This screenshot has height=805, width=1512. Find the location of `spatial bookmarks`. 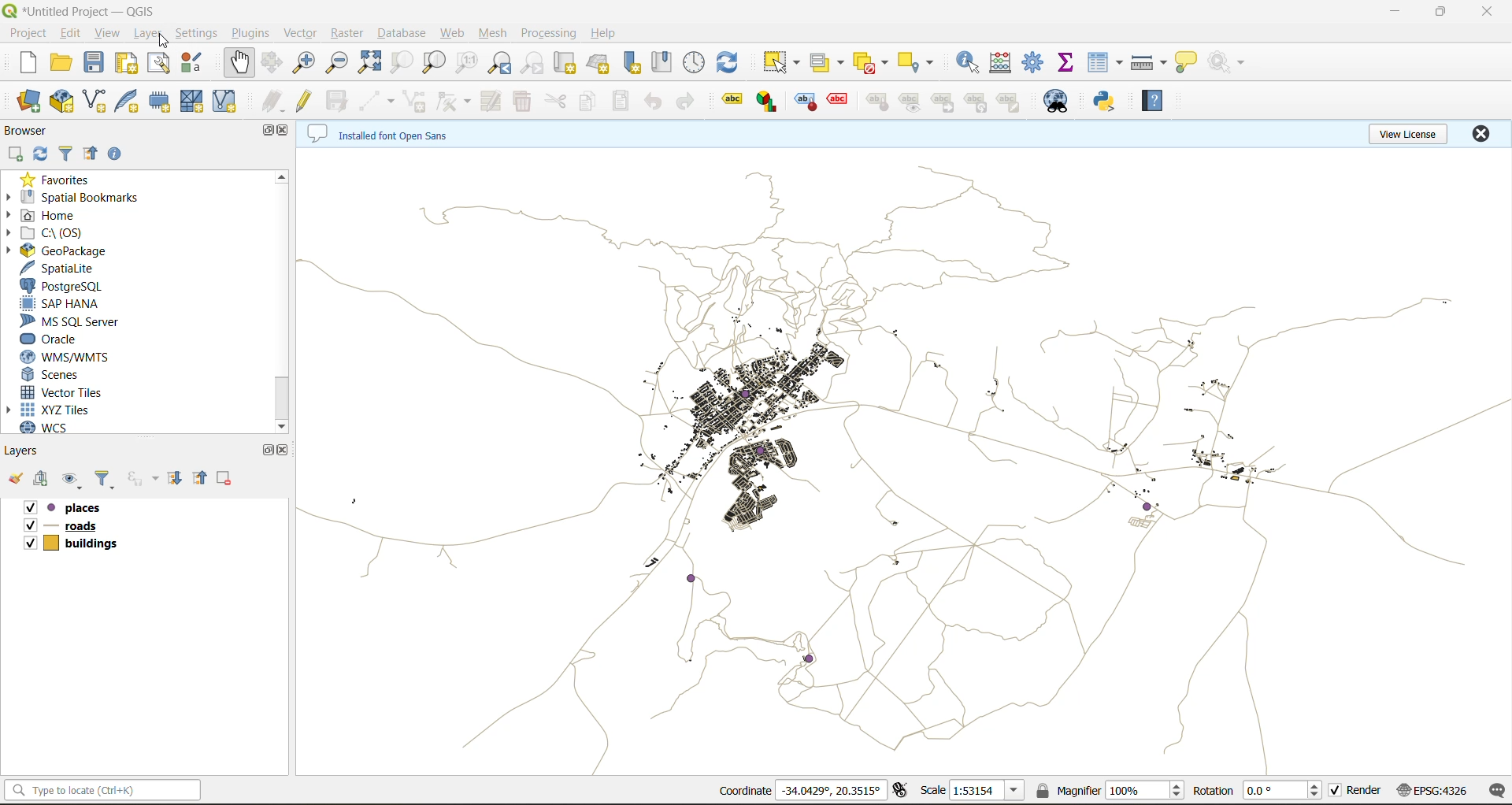

spatial bookmarks is located at coordinates (86, 198).